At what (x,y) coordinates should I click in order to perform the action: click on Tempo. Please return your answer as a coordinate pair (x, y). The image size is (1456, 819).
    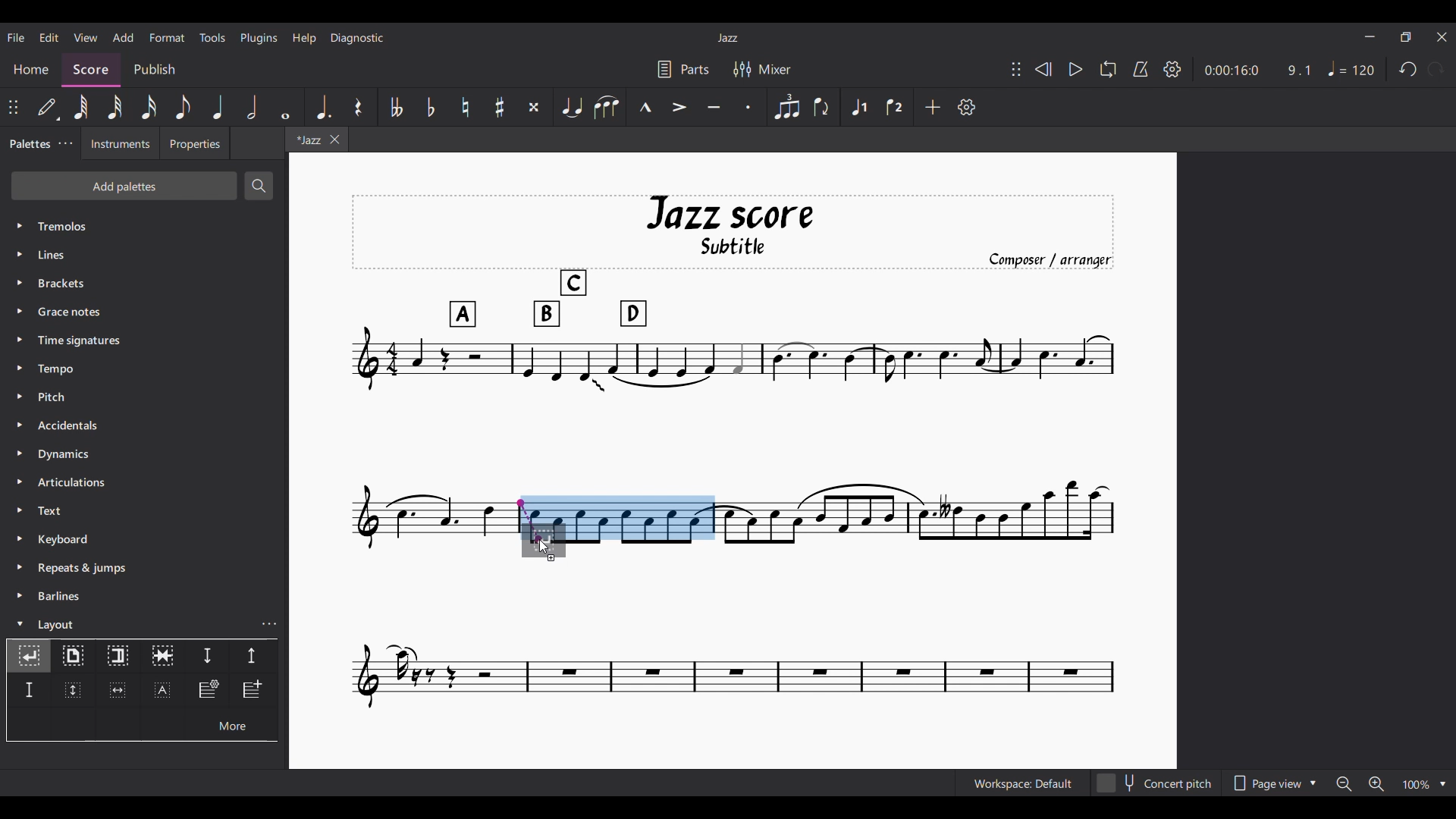
    Looking at the image, I should click on (145, 369).